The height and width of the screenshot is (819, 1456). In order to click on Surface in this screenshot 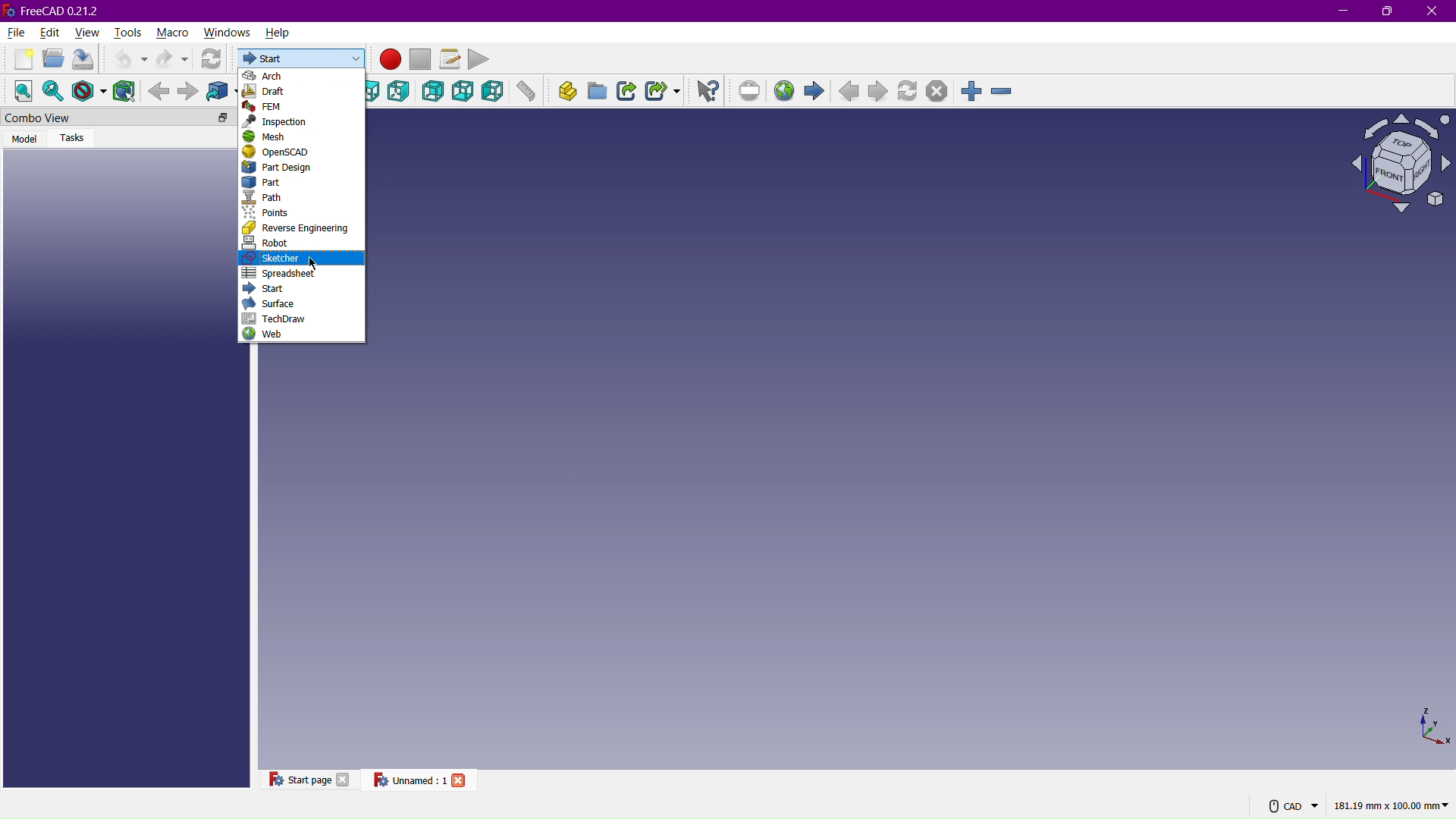, I will do `click(301, 303)`.